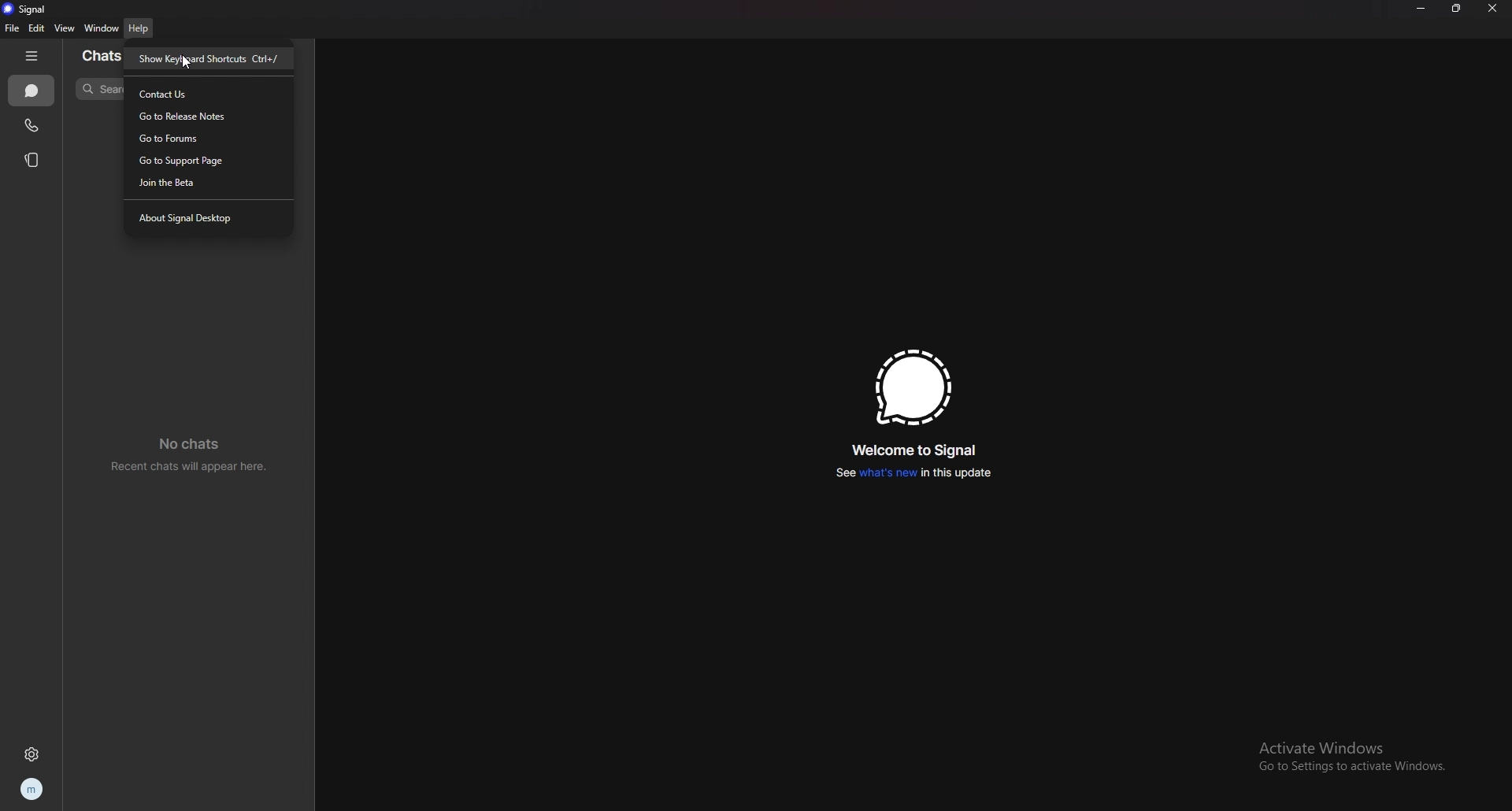 Image resolution: width=1512 pixels, height=811 pixels. What do you see at coordinates (208, 138) in the screenshot?
I see `forums` at bounding box center [208, 138].